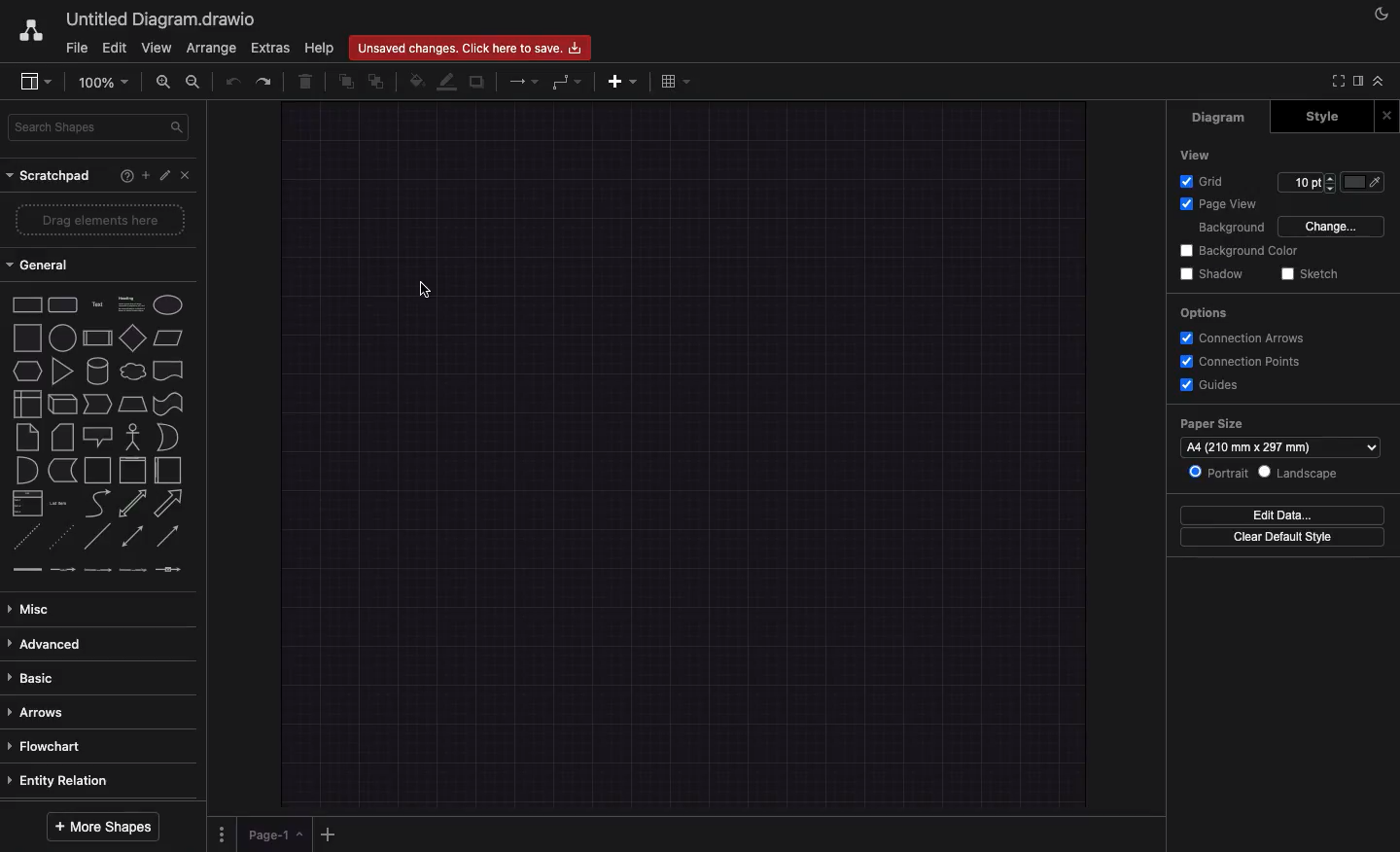 Image resolution: width=1400 pixels, height=852 pixels. I want to click on Page view, so click(1222, 202).